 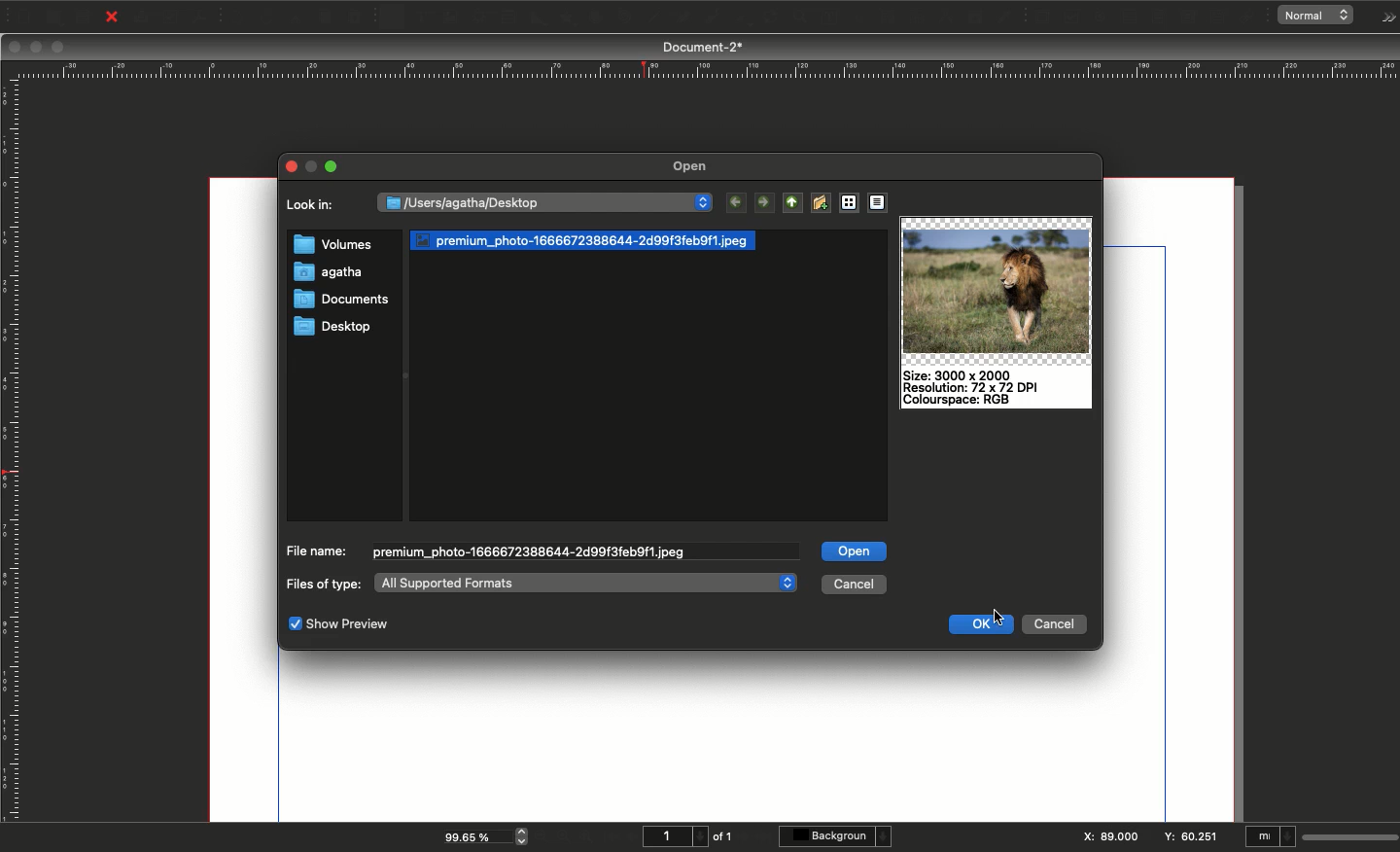 What do you see at coordinates (38, 48) in the screenshot?
I see `Minimize` at bounding box center [38, 48].